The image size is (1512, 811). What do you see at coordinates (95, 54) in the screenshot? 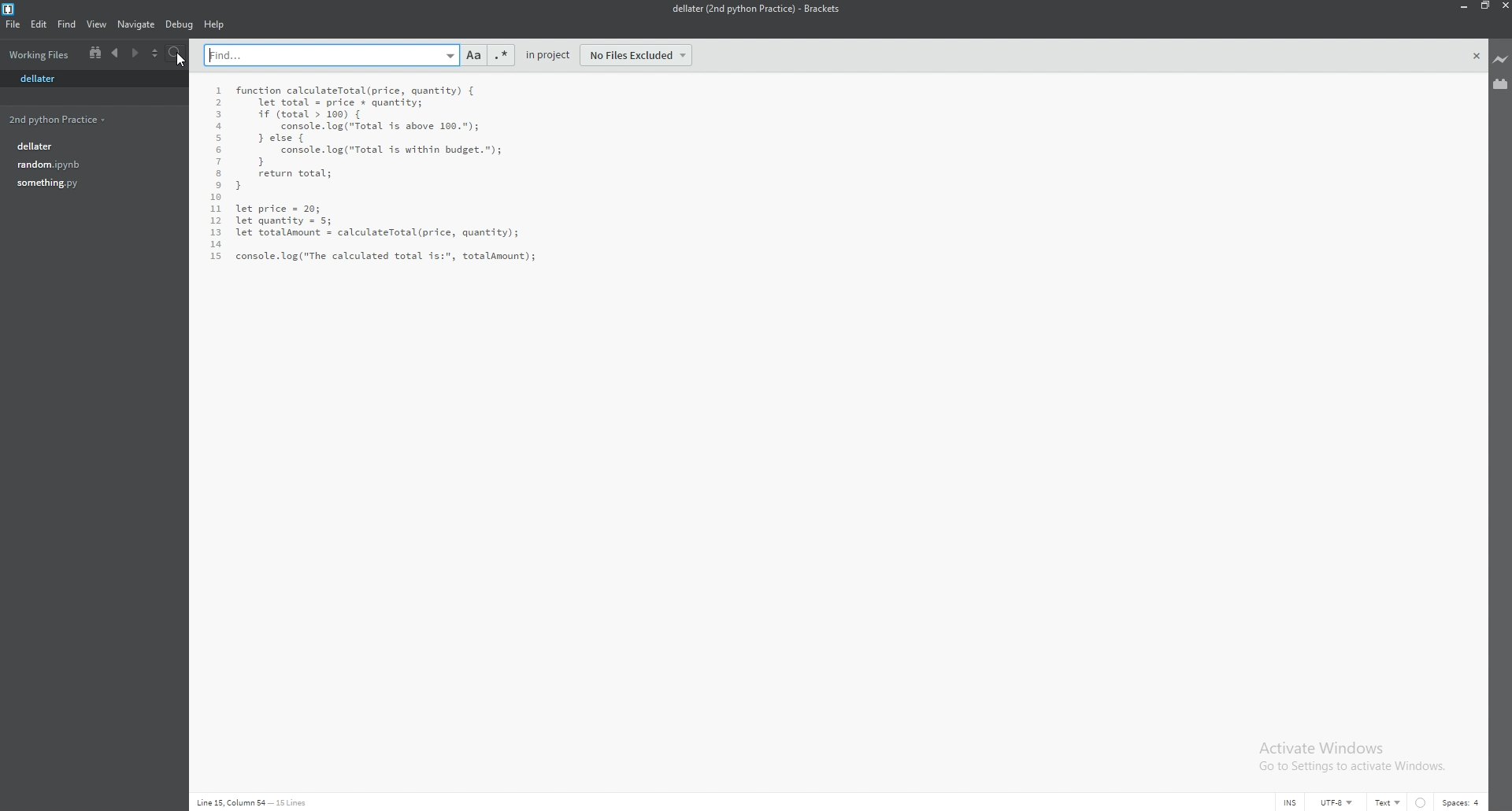
I see `split view` at bounding box center [95, 54].